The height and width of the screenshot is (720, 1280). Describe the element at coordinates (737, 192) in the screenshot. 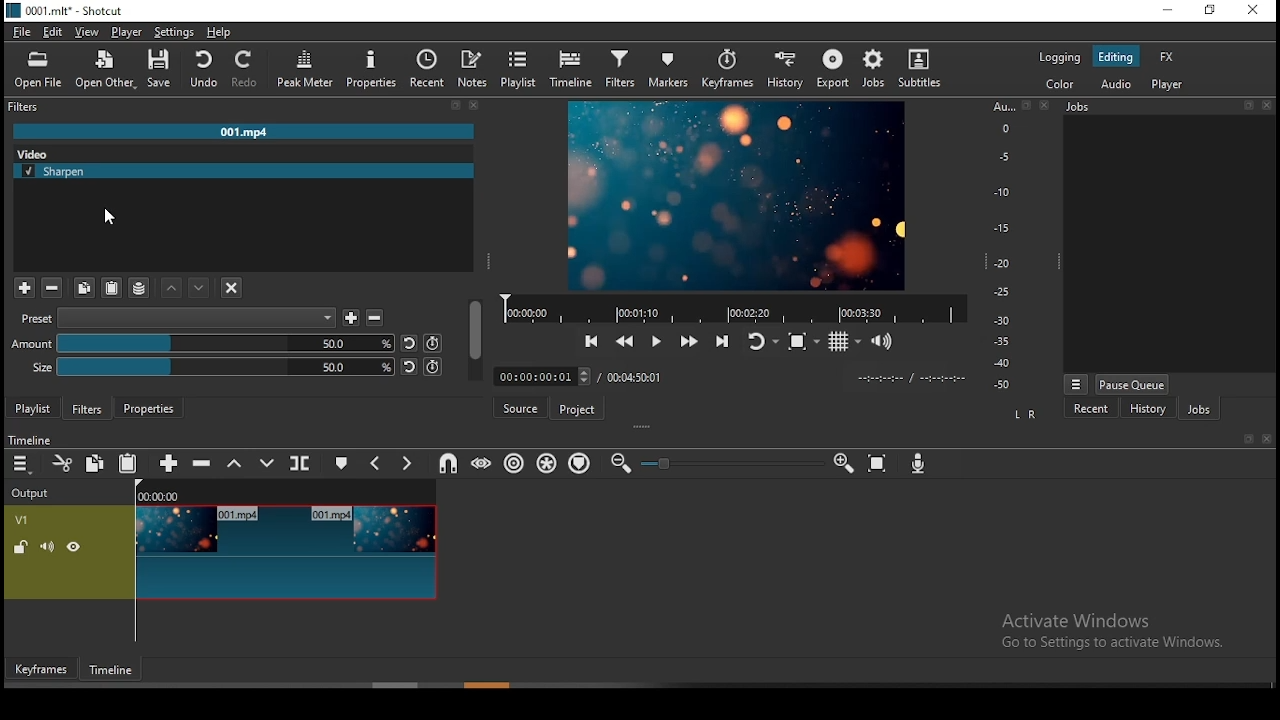

I see `preview` at that location.